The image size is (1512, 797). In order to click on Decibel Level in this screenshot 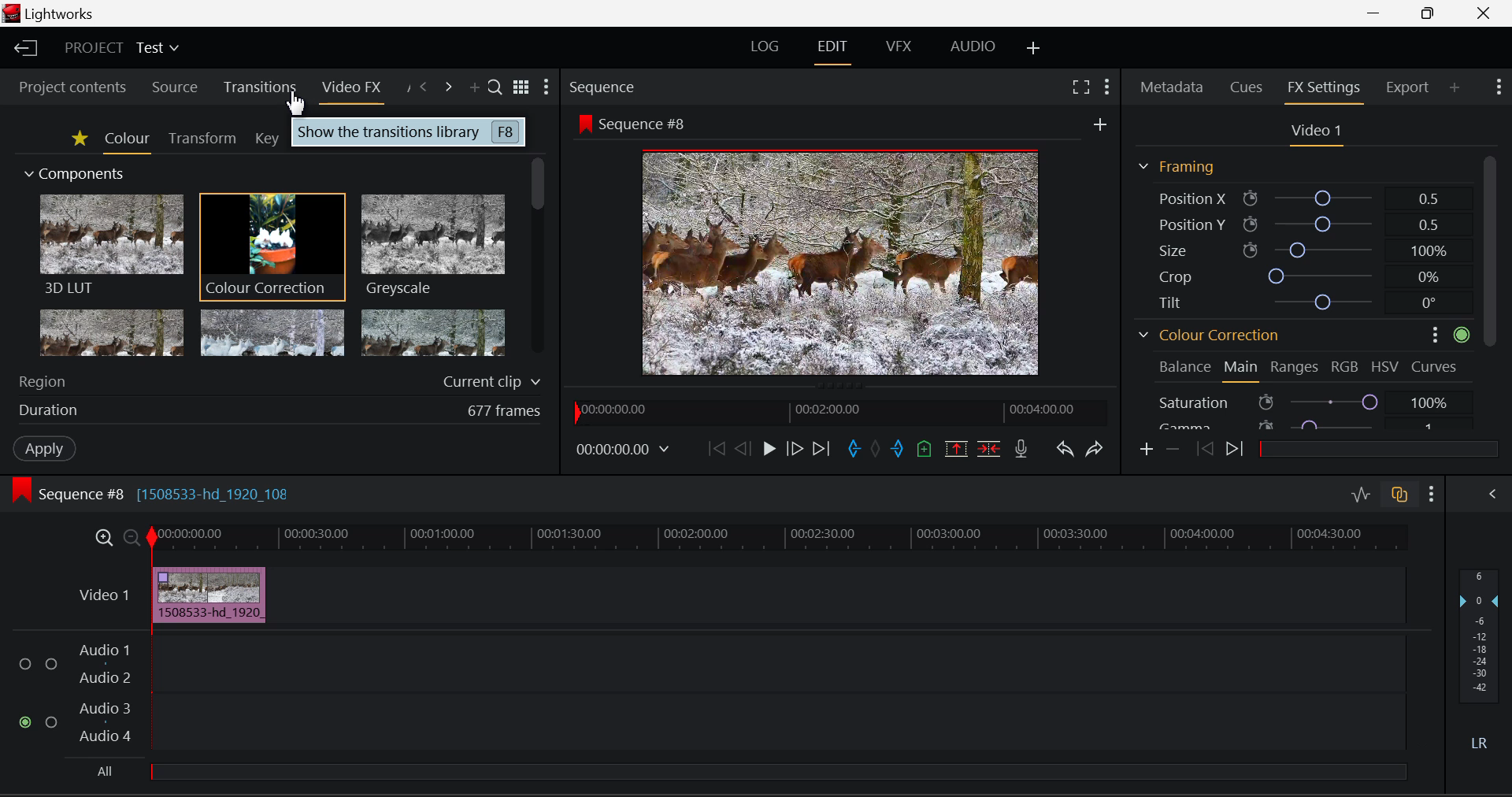, I will do `click(1484, 662)`.